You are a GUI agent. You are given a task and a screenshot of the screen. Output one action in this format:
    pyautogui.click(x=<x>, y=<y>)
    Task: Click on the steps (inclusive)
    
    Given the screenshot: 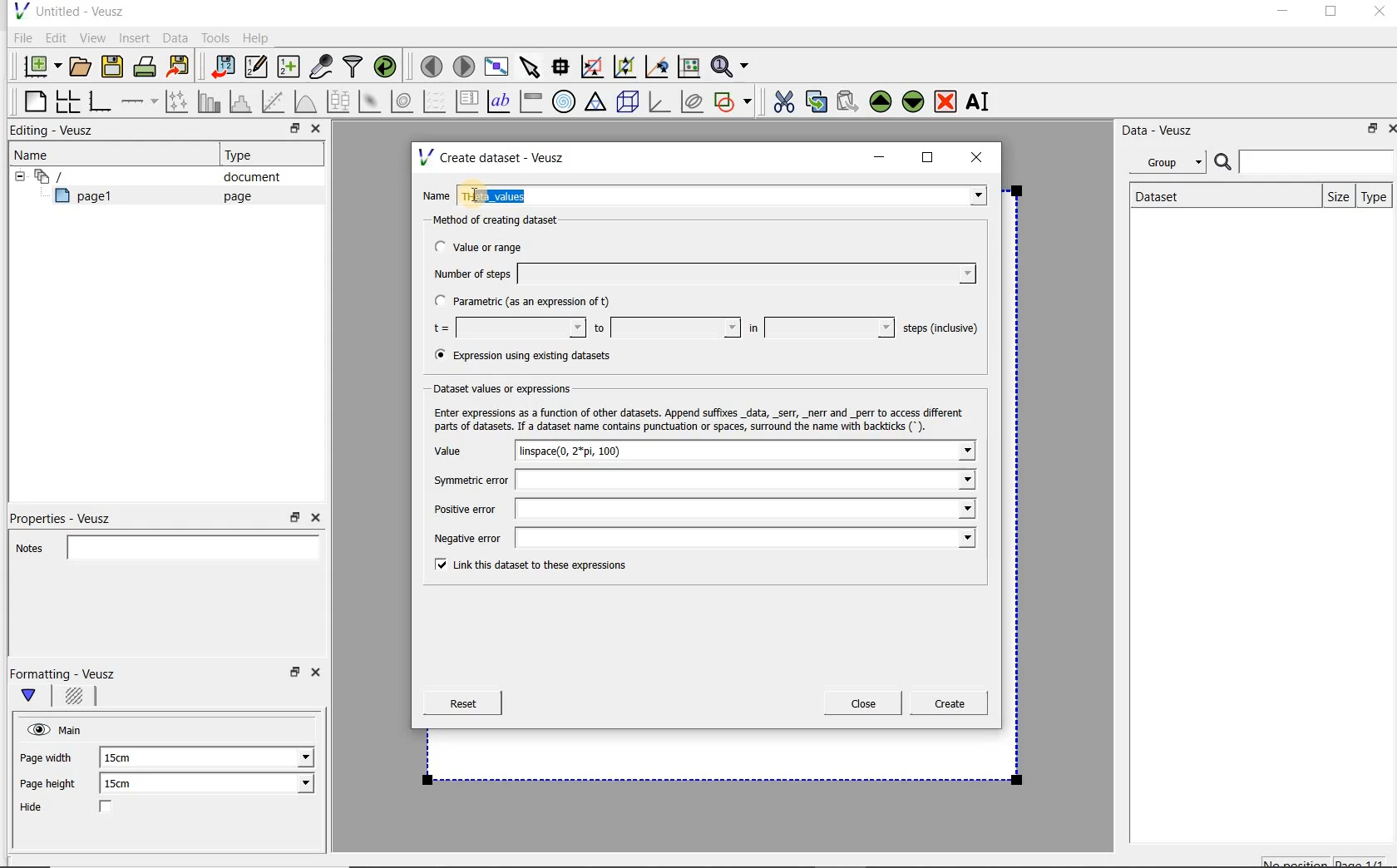 What is the action you would take?
    pyautogui.click(x=941, y=329)
    